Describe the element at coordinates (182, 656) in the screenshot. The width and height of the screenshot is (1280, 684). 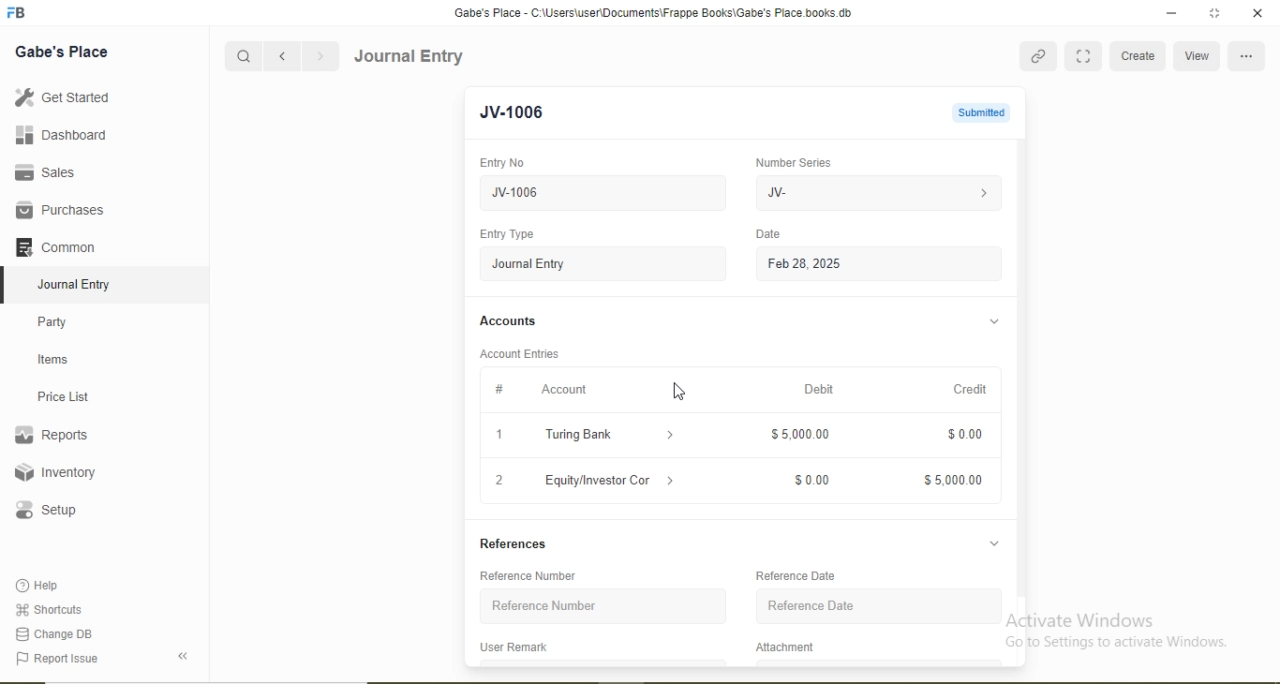
I see `Back` at that location.